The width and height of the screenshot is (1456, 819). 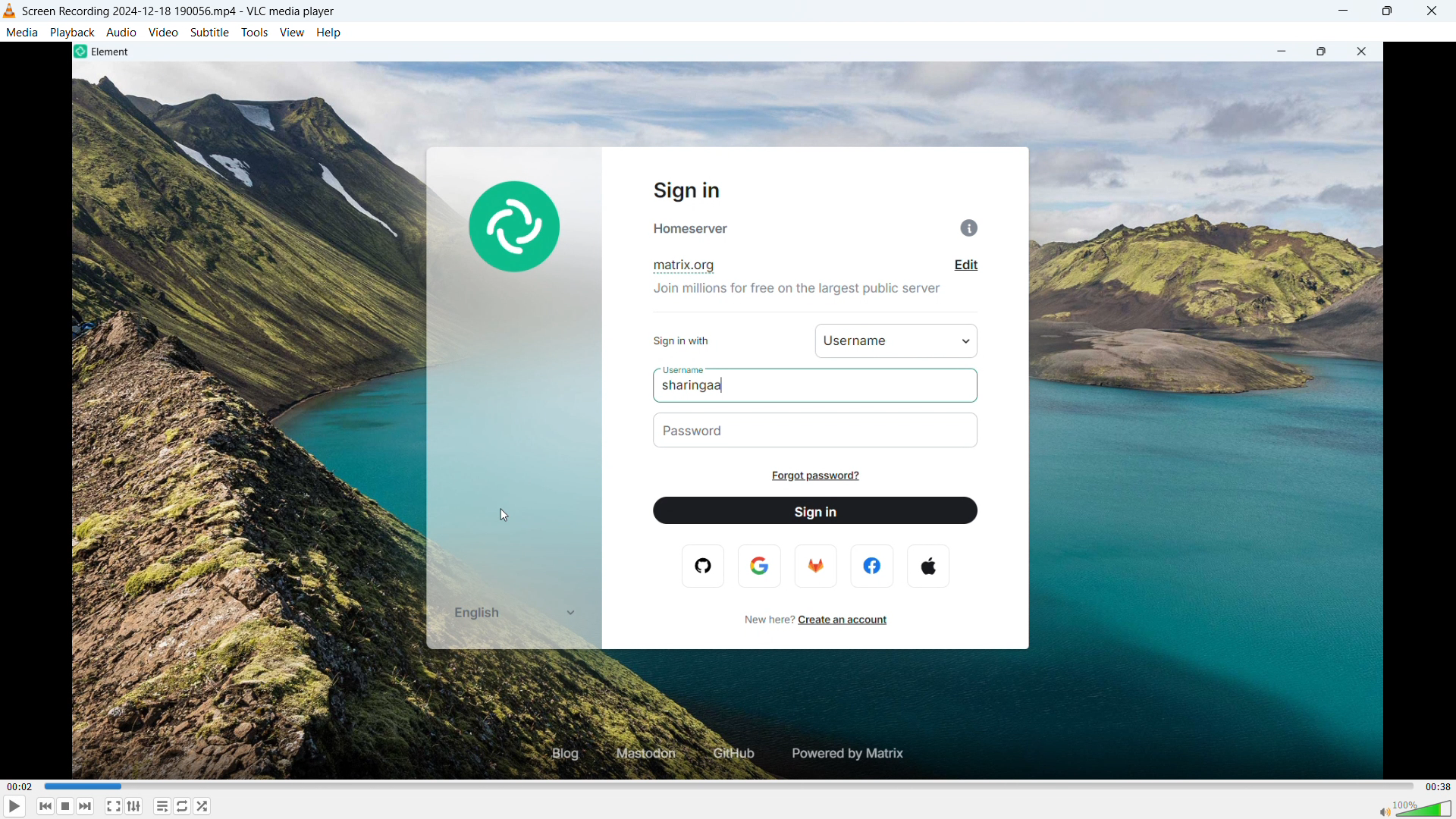 I want to click on video, so click(x=163, y=32).